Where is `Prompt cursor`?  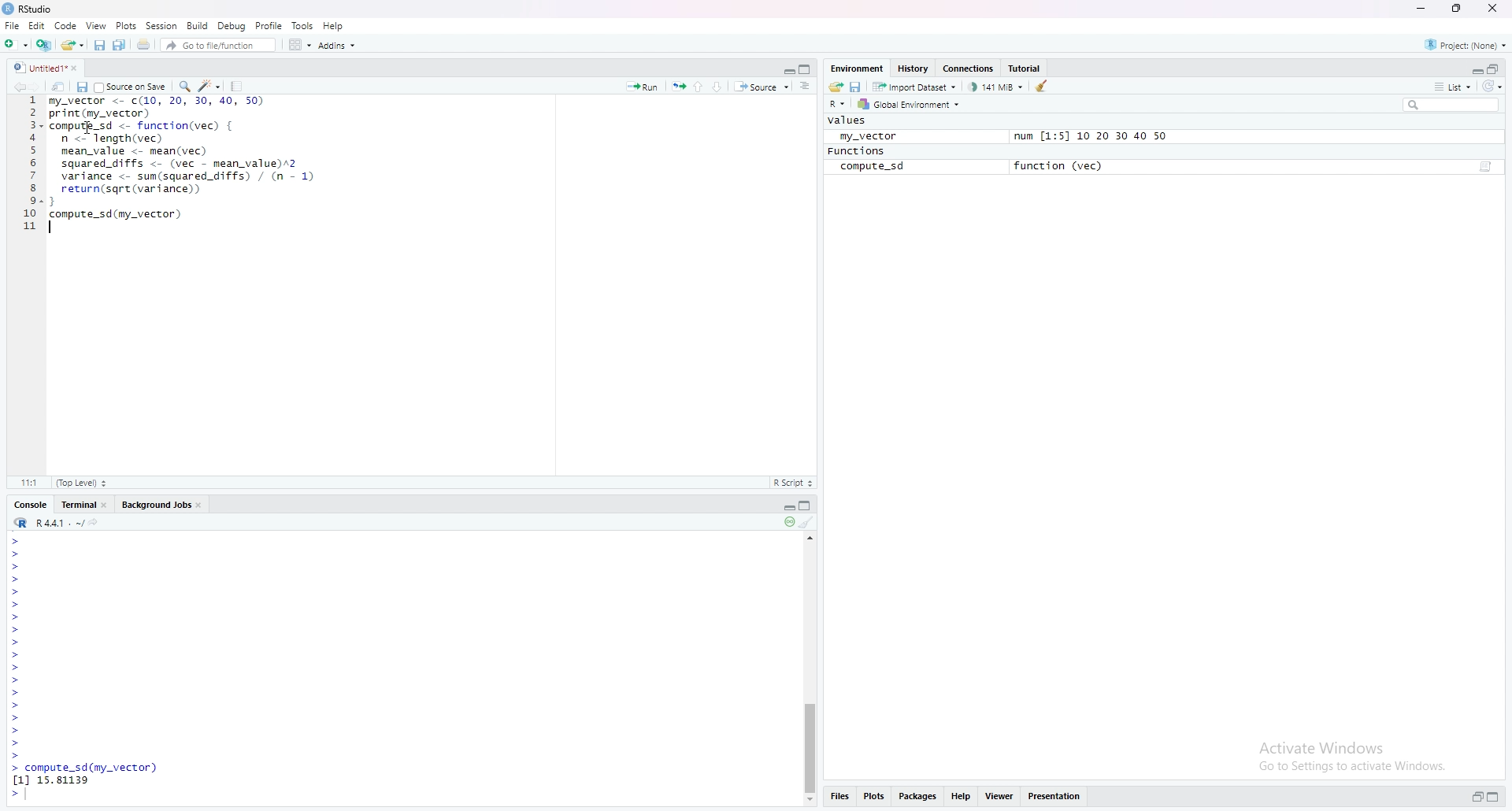 Prompt cursor is located at coordinates (13, 643).